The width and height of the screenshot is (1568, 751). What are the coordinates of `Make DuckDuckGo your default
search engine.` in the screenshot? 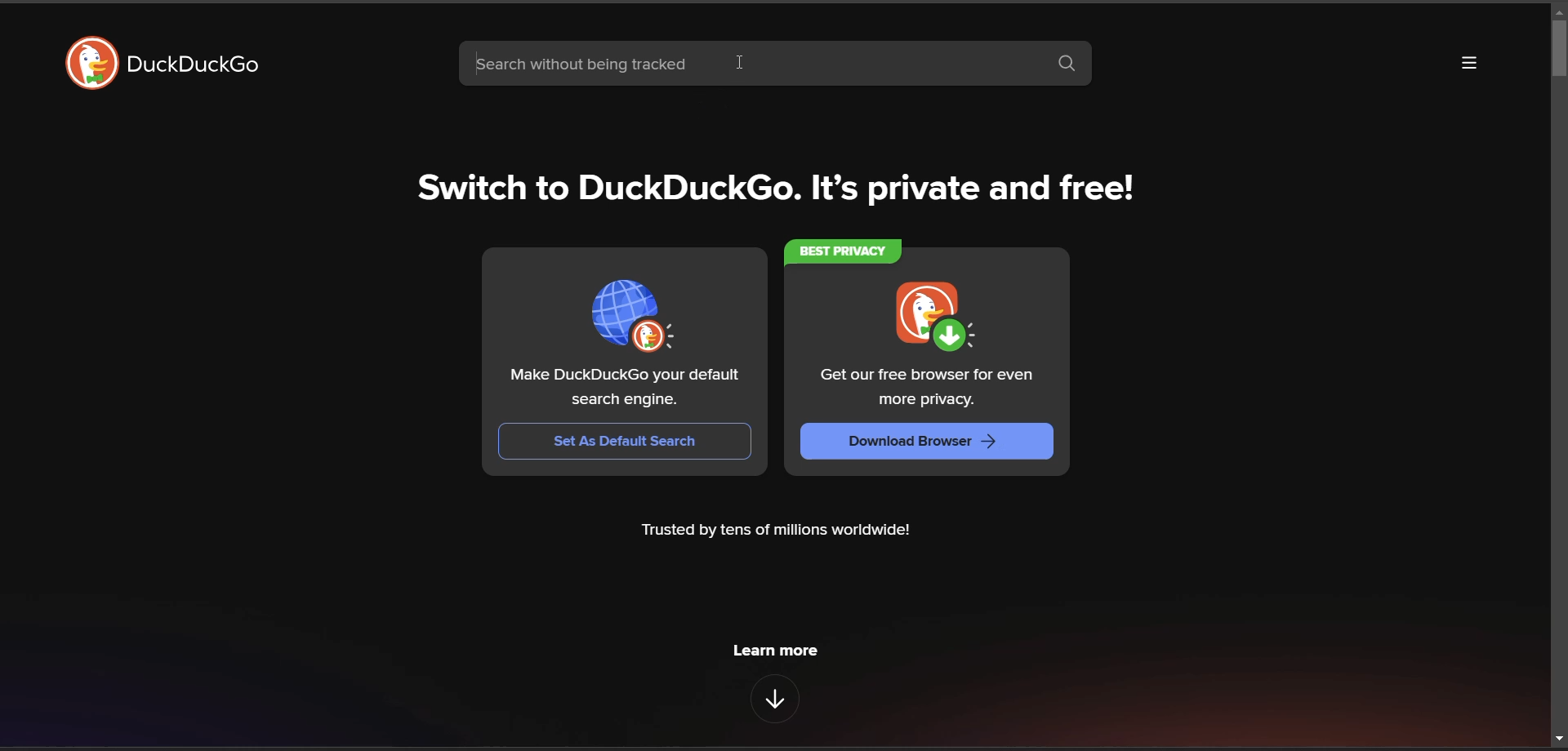 It's located at (625, 389).